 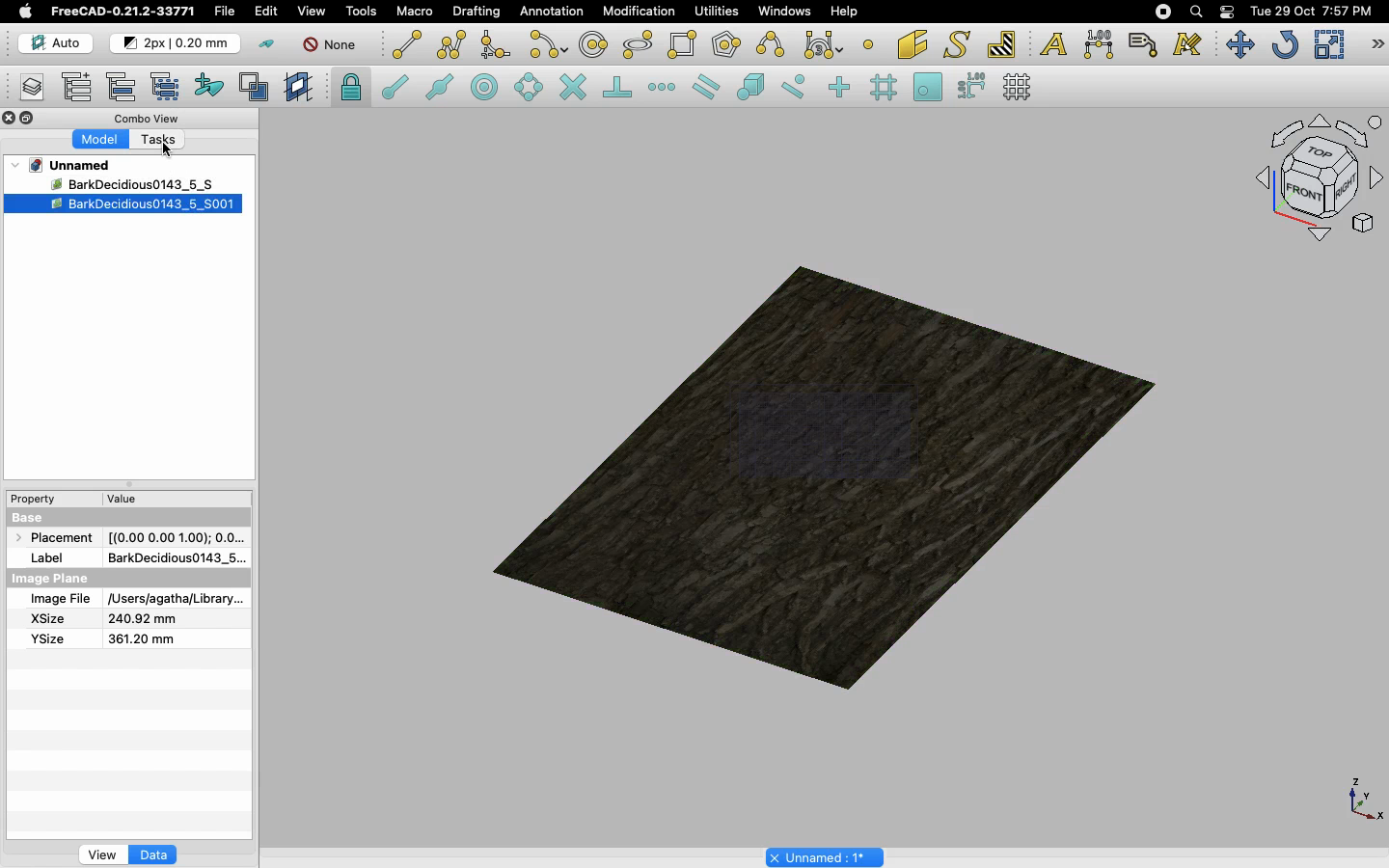 What do you see at coordinates (177, 44) in the screenshot?
I see `Change default for new objects` at bounding box center [177, 44].